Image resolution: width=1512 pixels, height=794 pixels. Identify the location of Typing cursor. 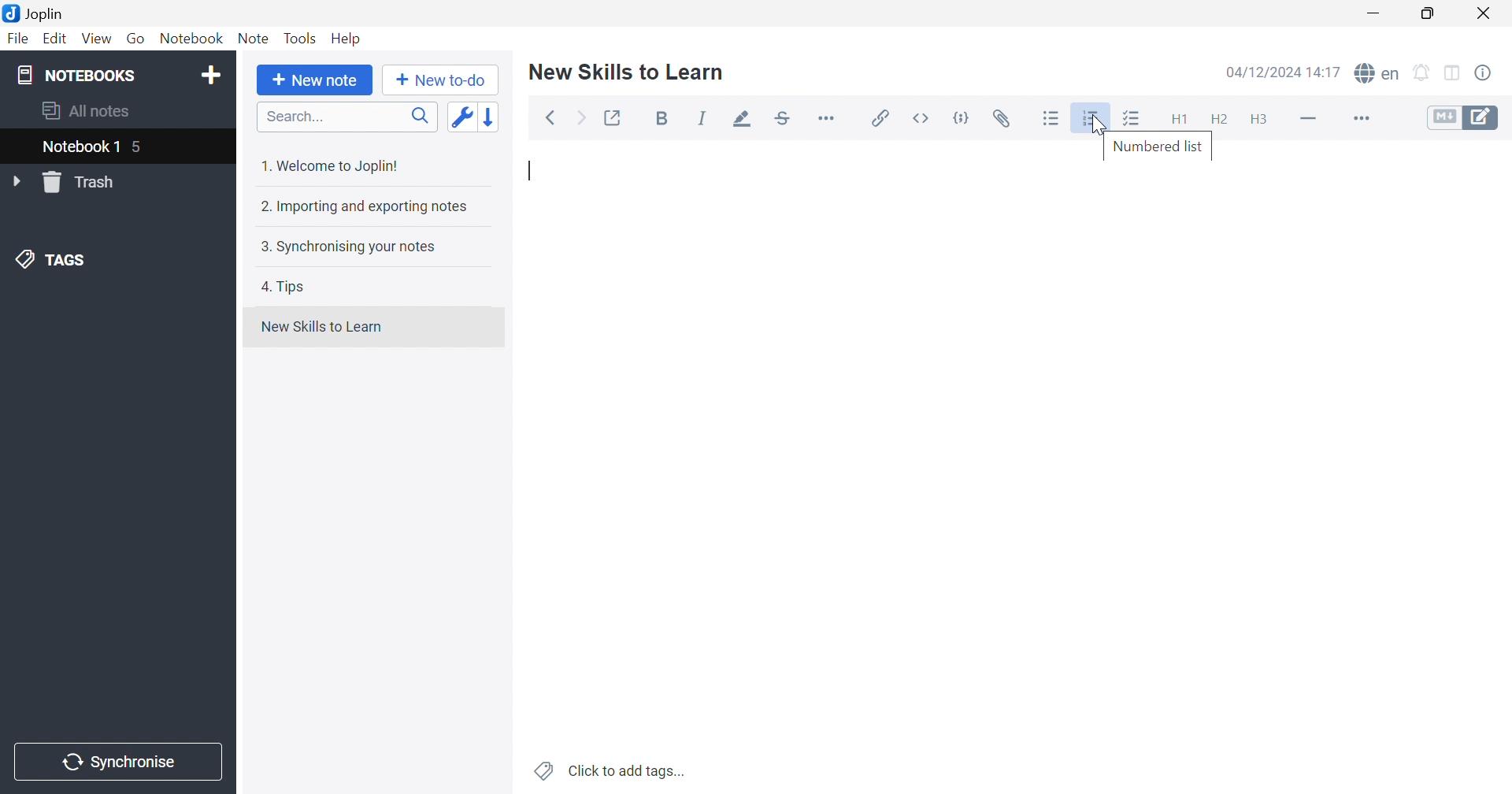
(532, 173).